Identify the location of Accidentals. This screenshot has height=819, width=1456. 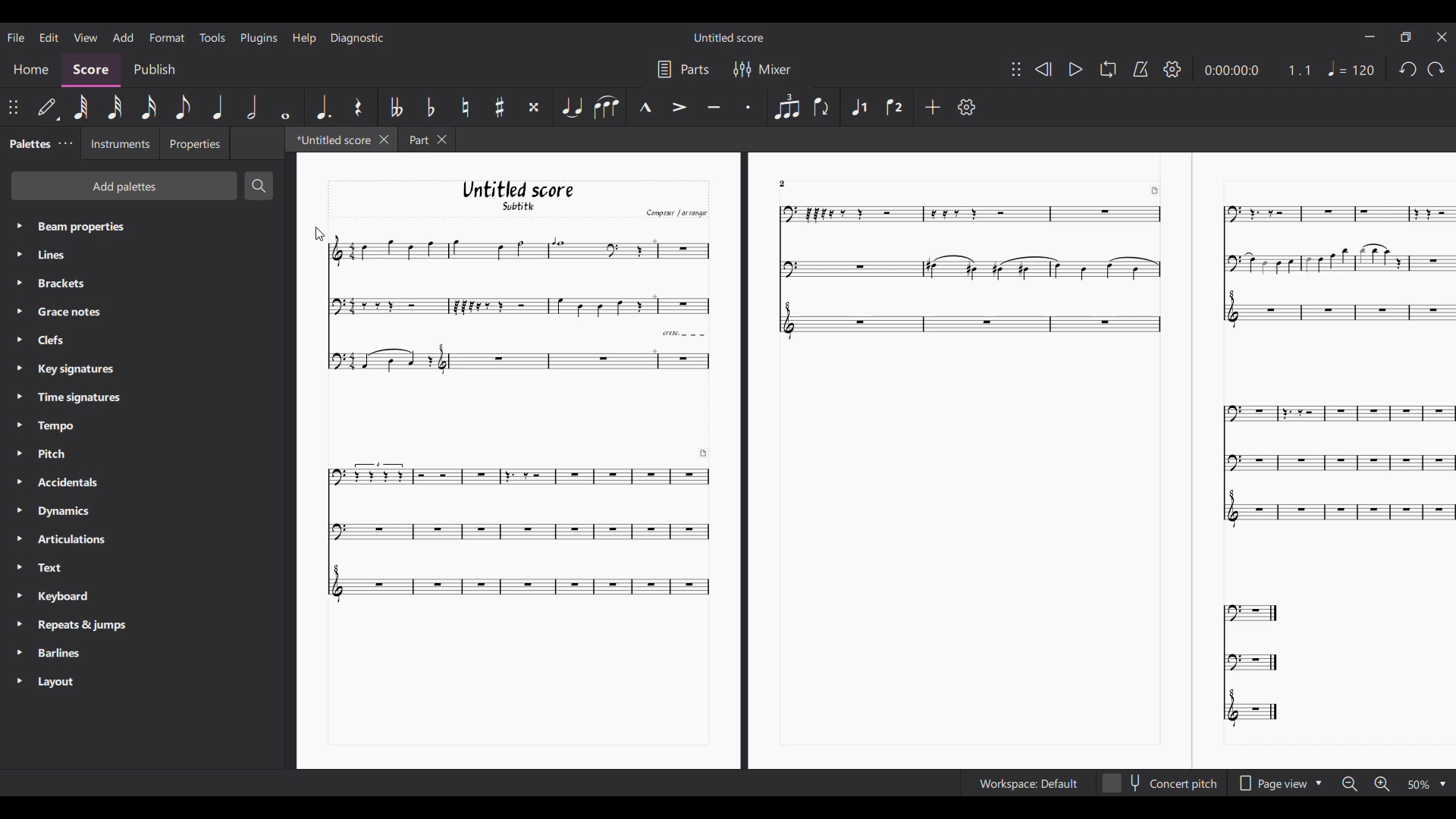
(71, 482).